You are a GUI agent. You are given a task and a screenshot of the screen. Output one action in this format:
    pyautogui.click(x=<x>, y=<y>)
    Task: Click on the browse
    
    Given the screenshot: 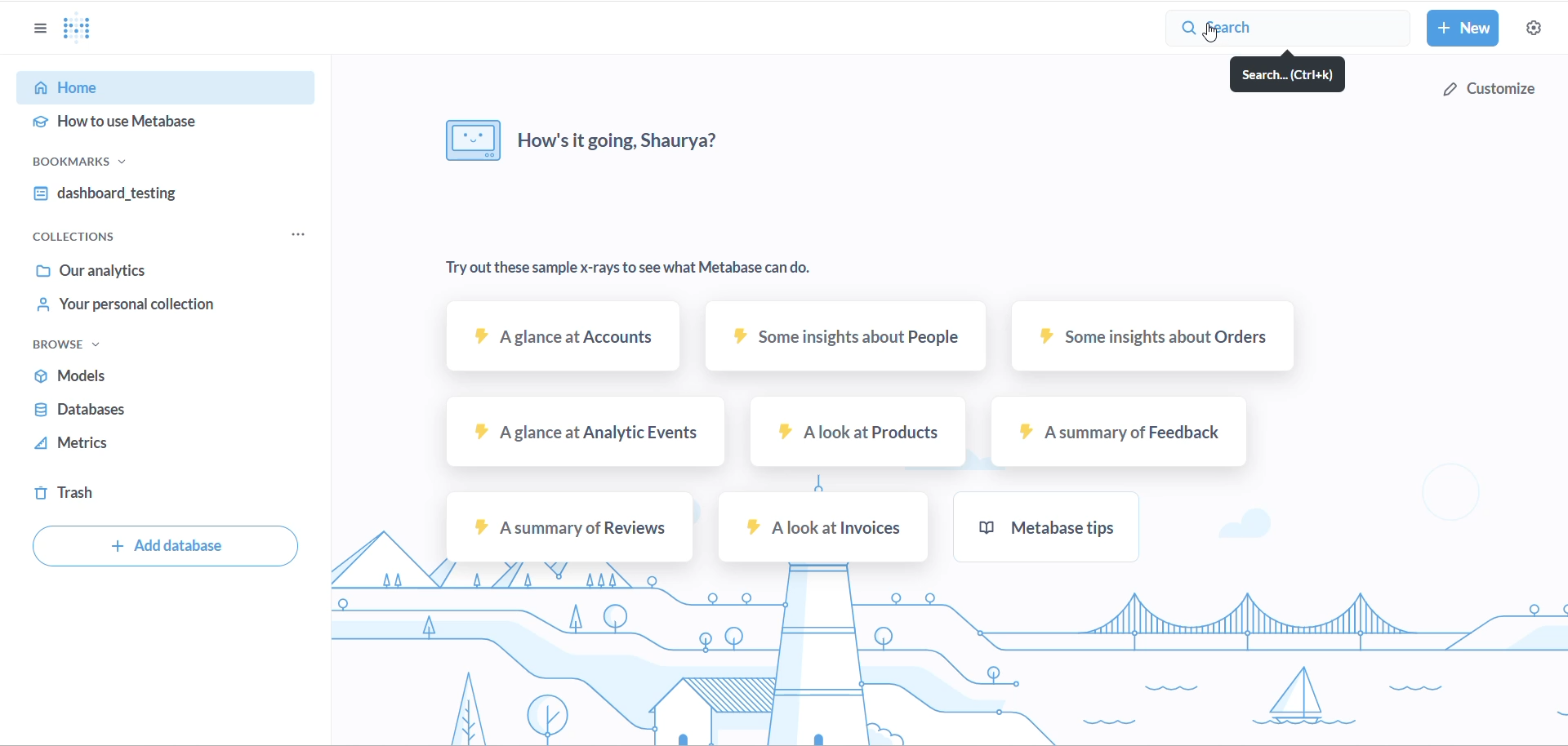 What is the action you would take?
    pyautogui.click(x=81, y=348)
    